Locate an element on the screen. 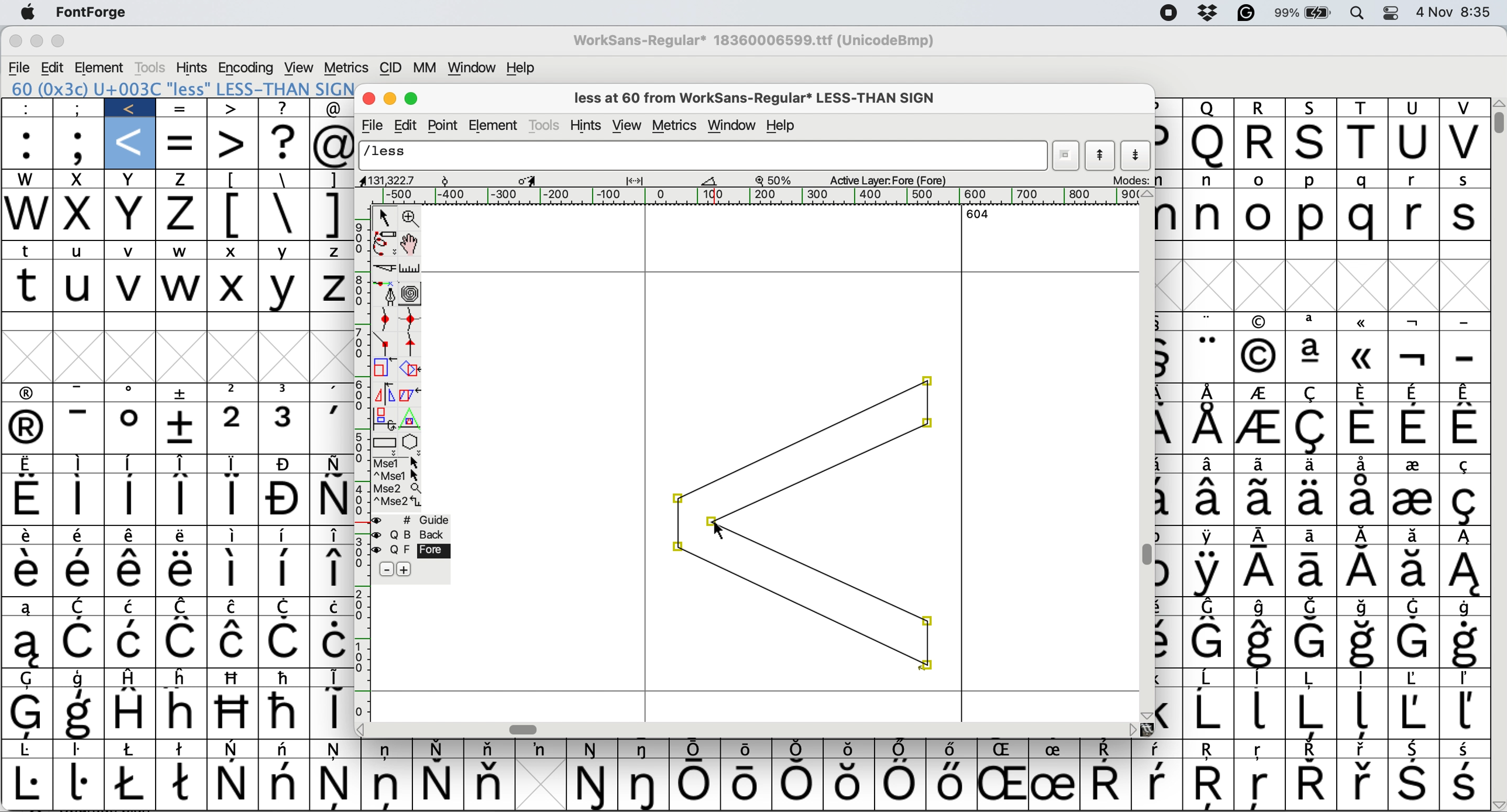 The image size is (1507, 812). z is located at coordinates (182, 181).